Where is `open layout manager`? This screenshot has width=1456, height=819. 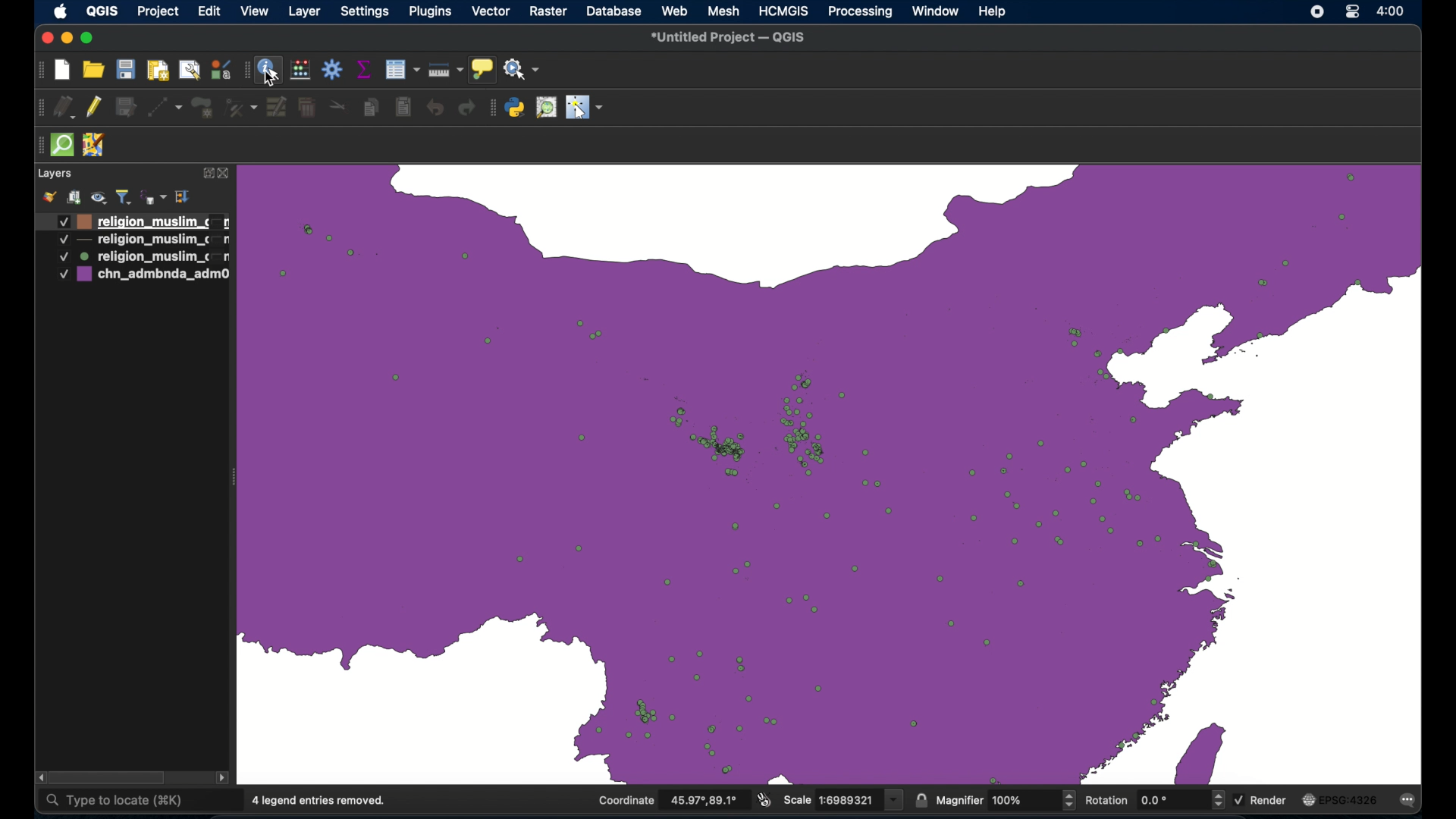
open layout manager is located at coordinates (188, 70).